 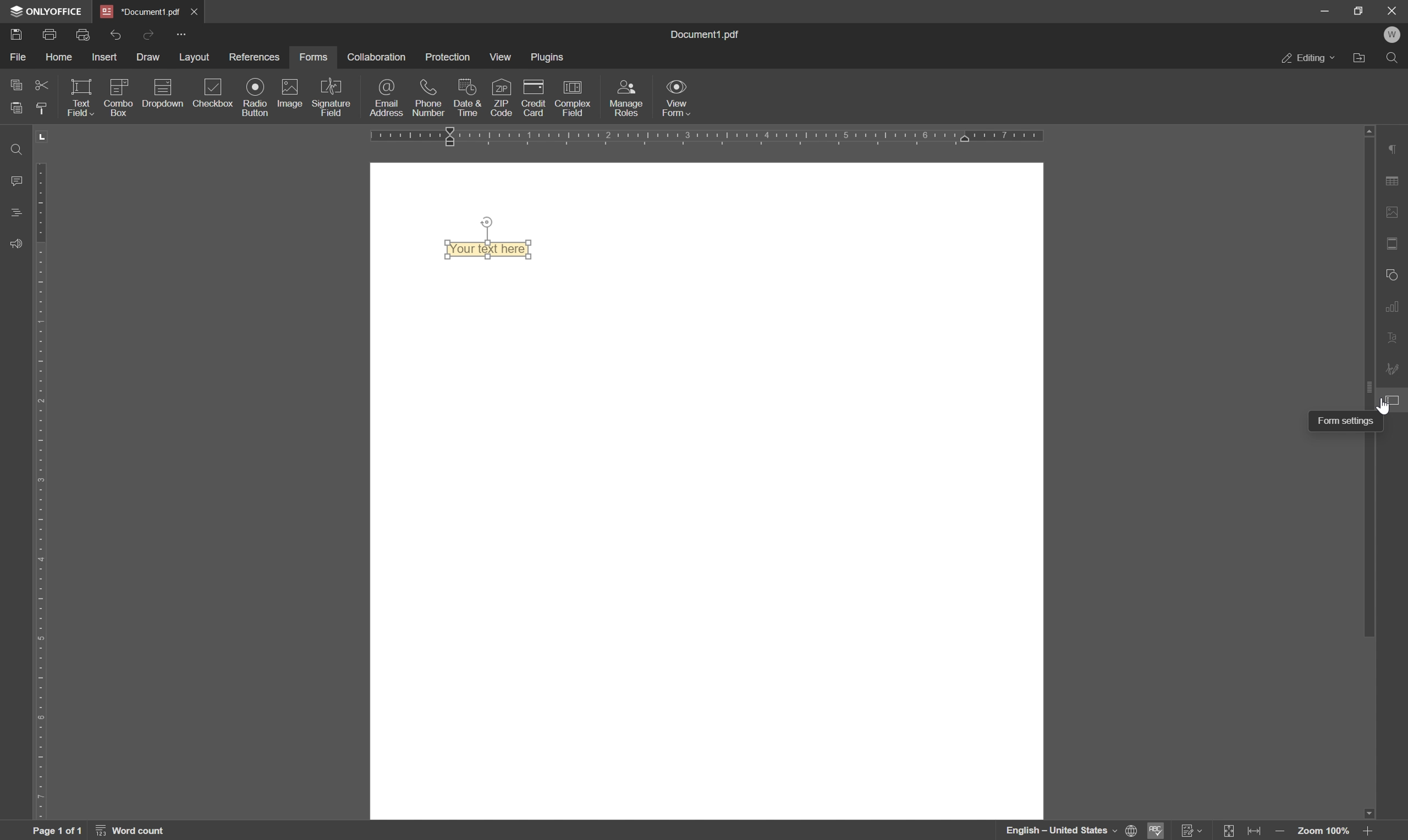 What do you see at coordinates (1325, 12) in the screenshot?
I see `minimize` at bounding box center [1325, 12].